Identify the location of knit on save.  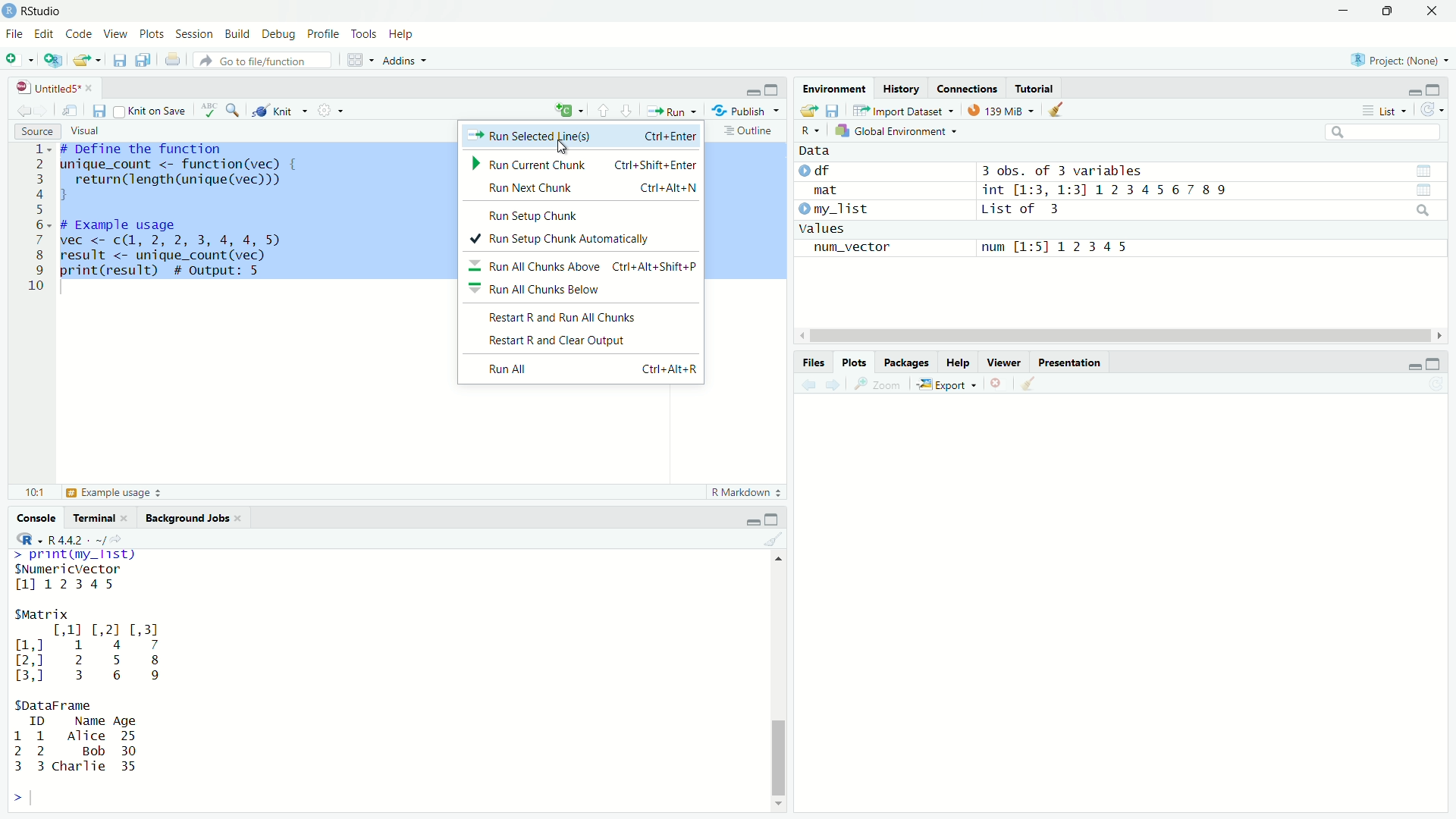
(153, 111).